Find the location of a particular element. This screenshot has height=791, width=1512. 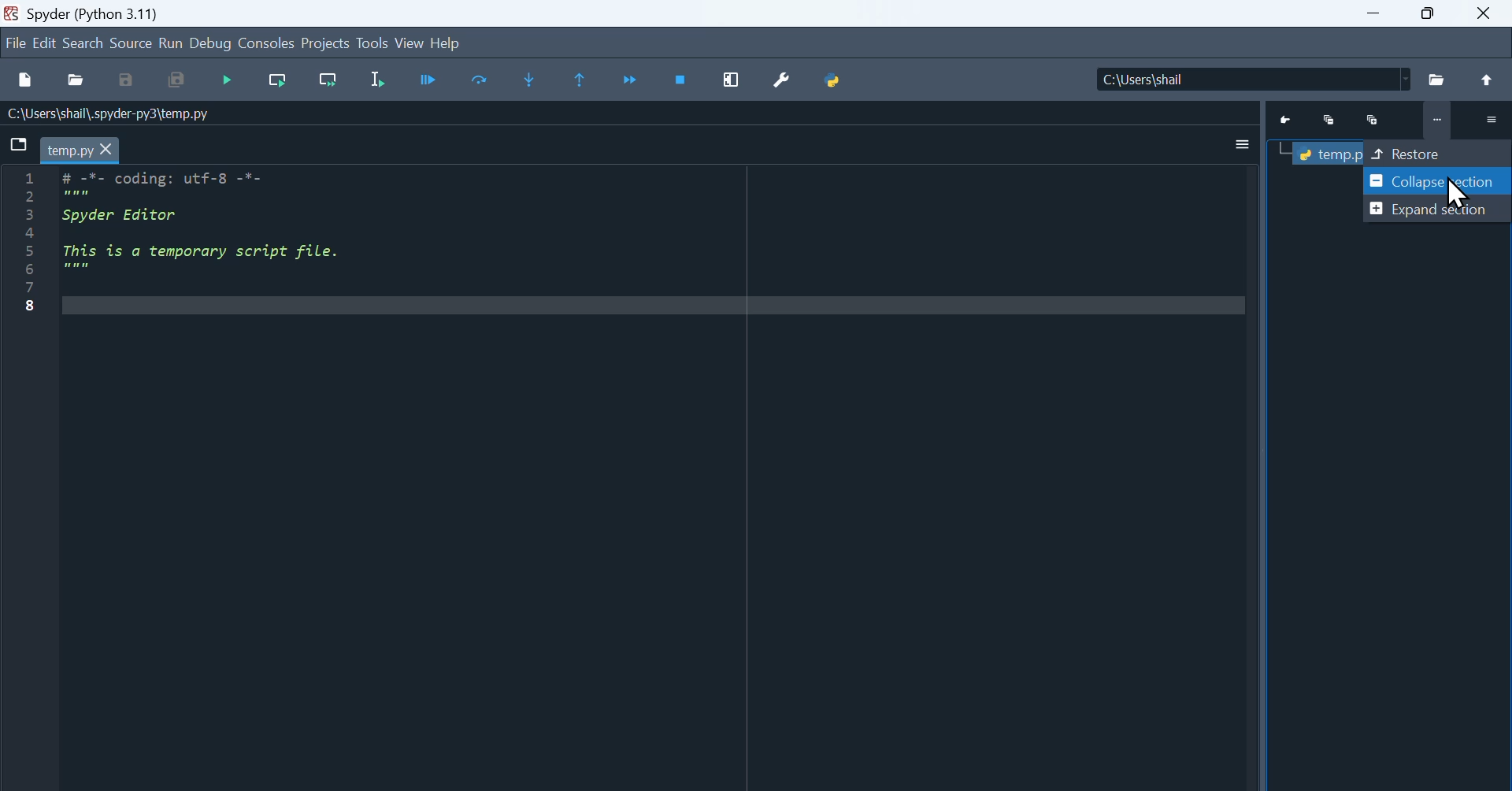

Edit is located at coordinates (45, 45).